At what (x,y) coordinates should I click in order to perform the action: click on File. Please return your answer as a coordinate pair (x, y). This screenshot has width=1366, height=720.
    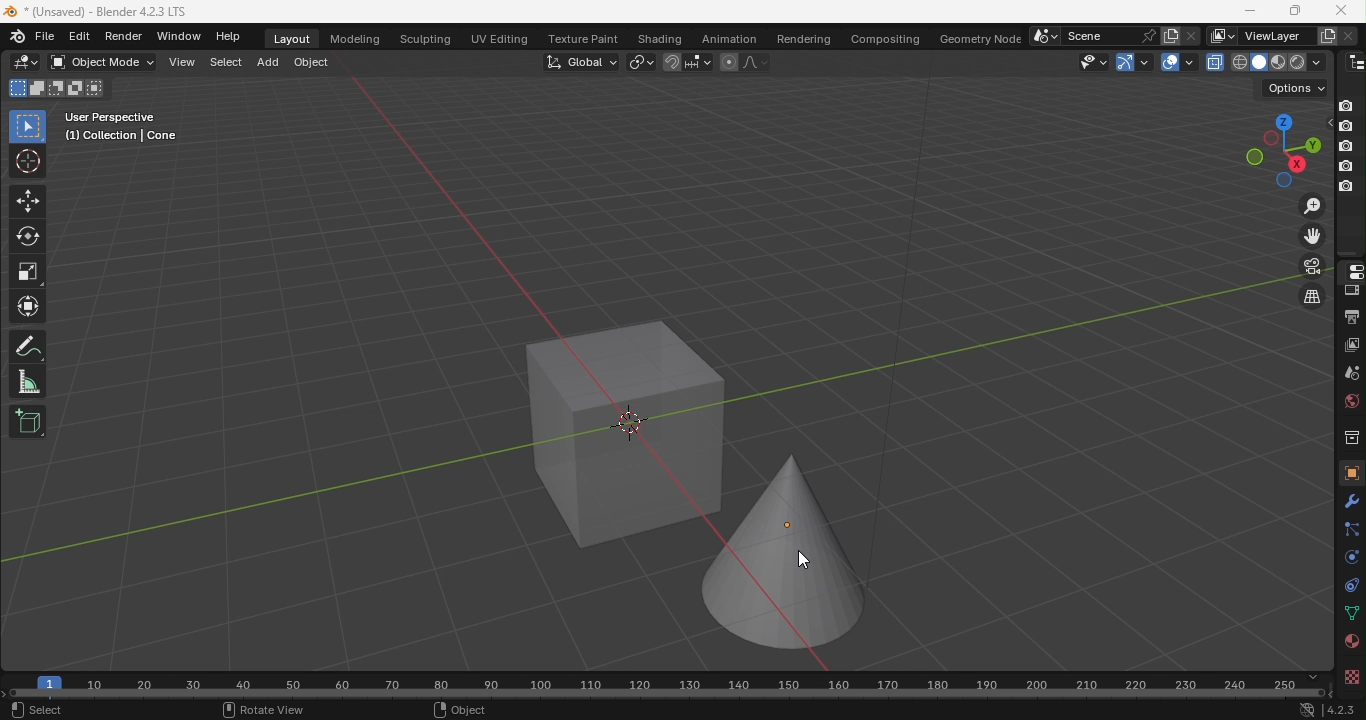
    Looking at the image, I should click on (46, 37).